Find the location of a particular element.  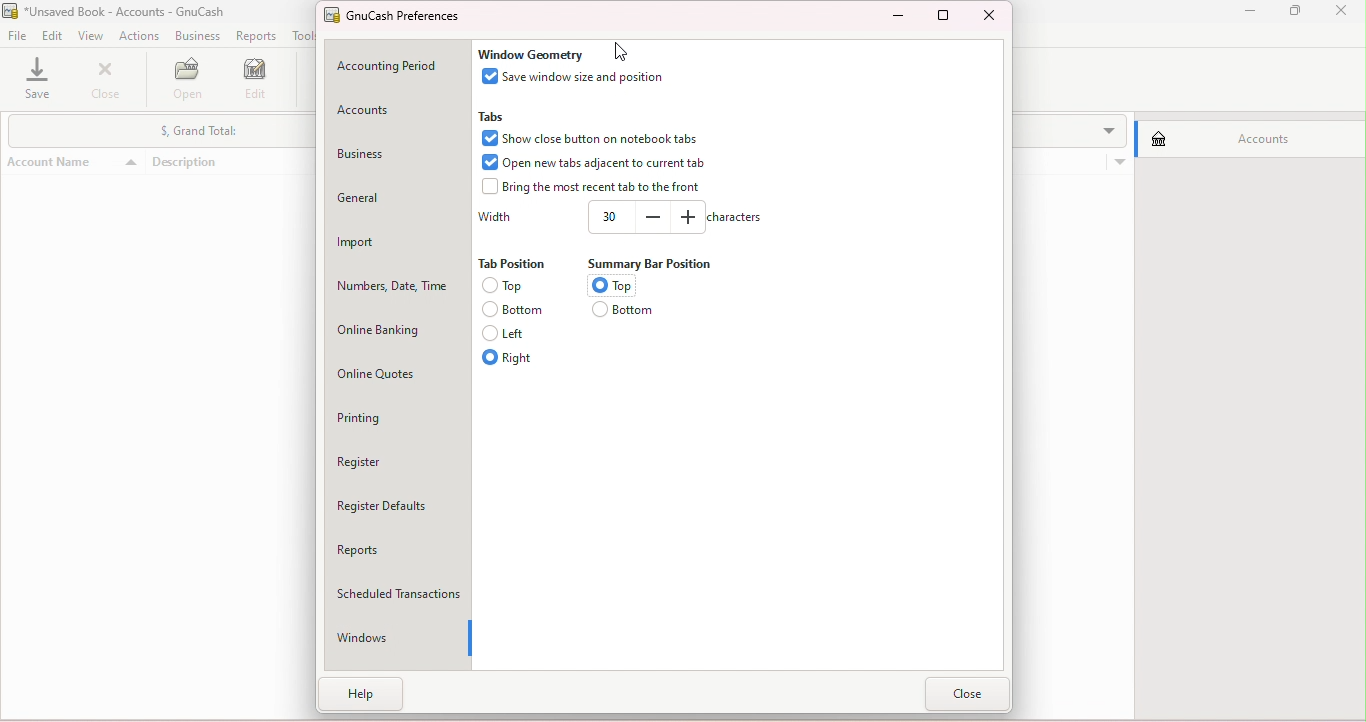

Show close button on notebooks tab is located at coordinates (598, 138).